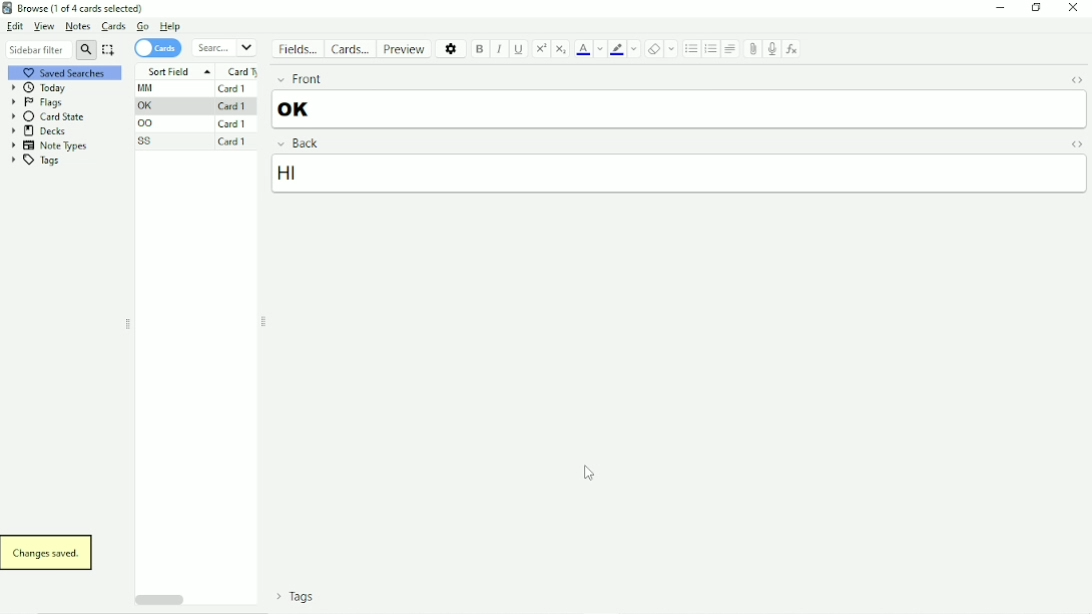  What do you see at coordinates (149, 88) in the screenshot?
I see `MM` at bounding box center [149, 88].